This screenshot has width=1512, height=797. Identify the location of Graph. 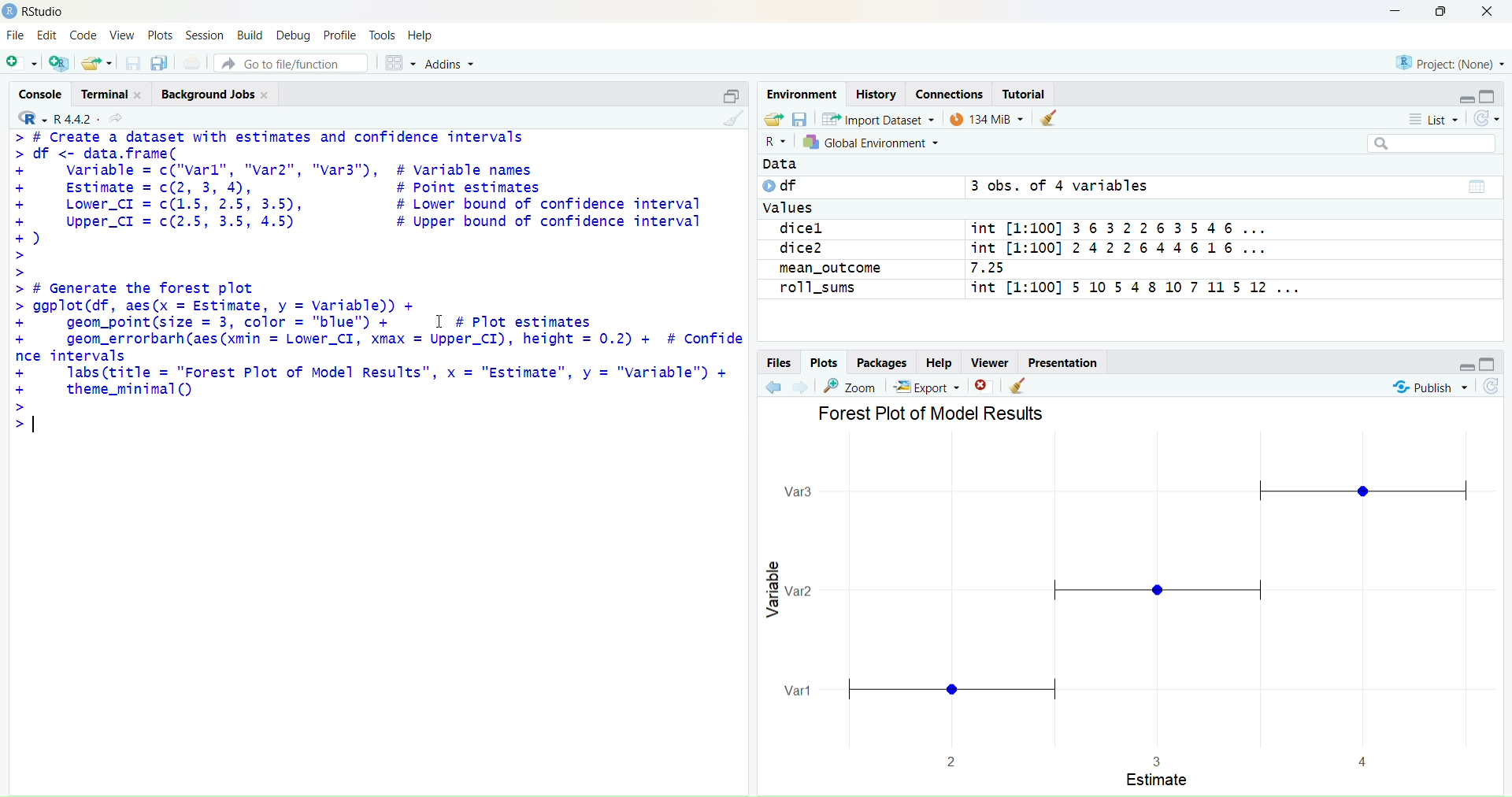
(1126, 602).